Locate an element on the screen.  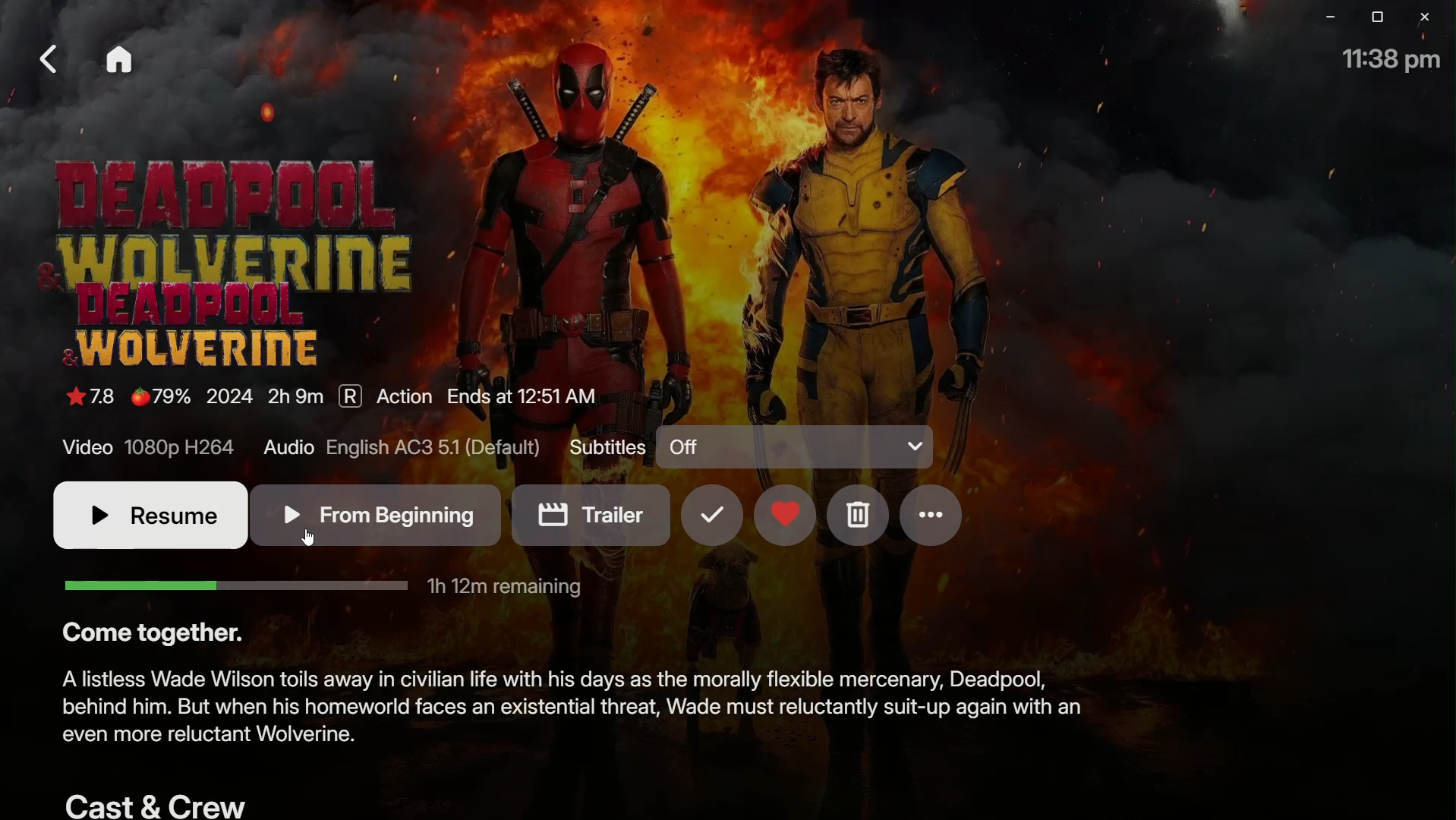
Movie Details is located at coordinates (336, 401).